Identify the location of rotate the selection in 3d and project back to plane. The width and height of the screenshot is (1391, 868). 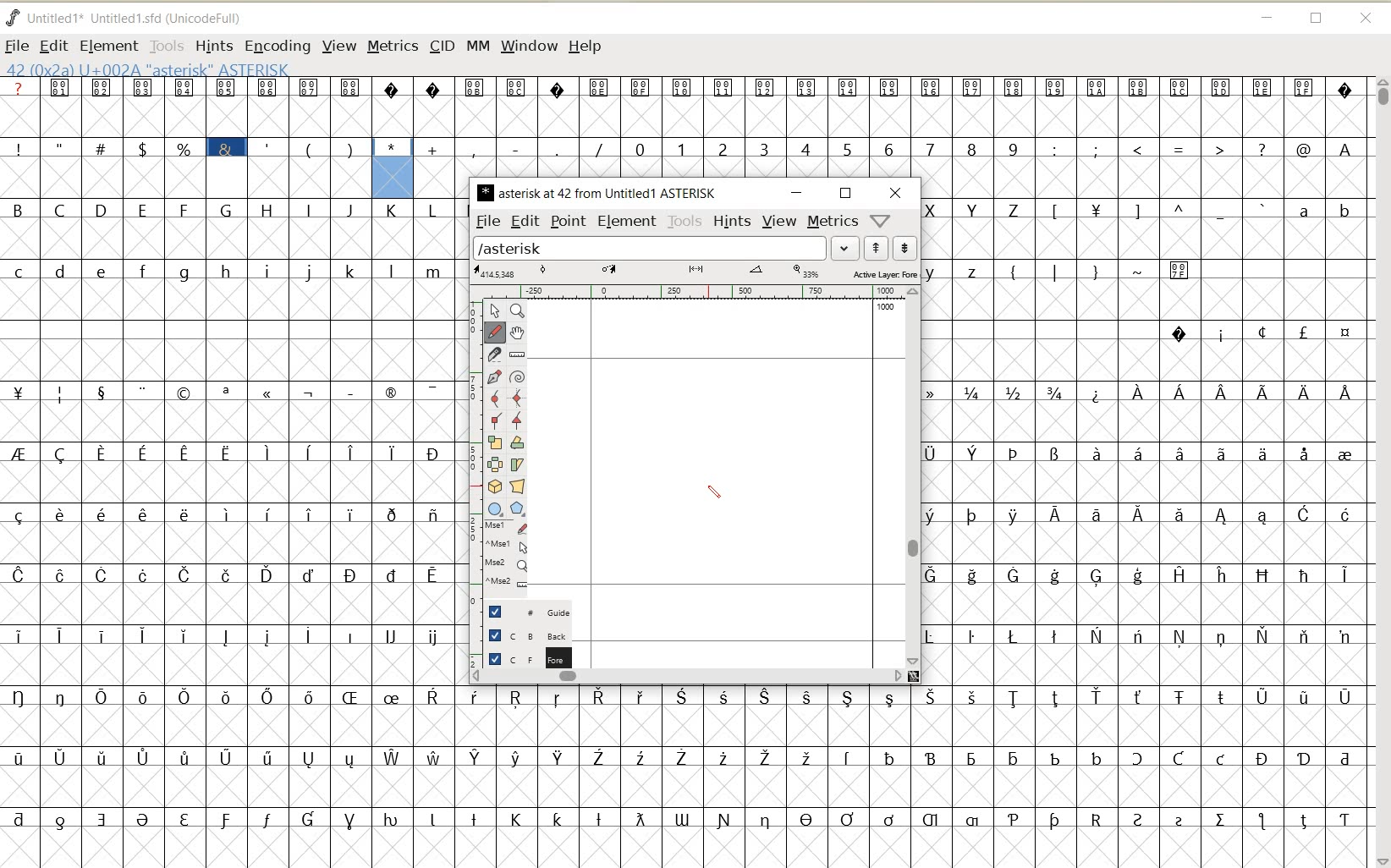
(494, 487).